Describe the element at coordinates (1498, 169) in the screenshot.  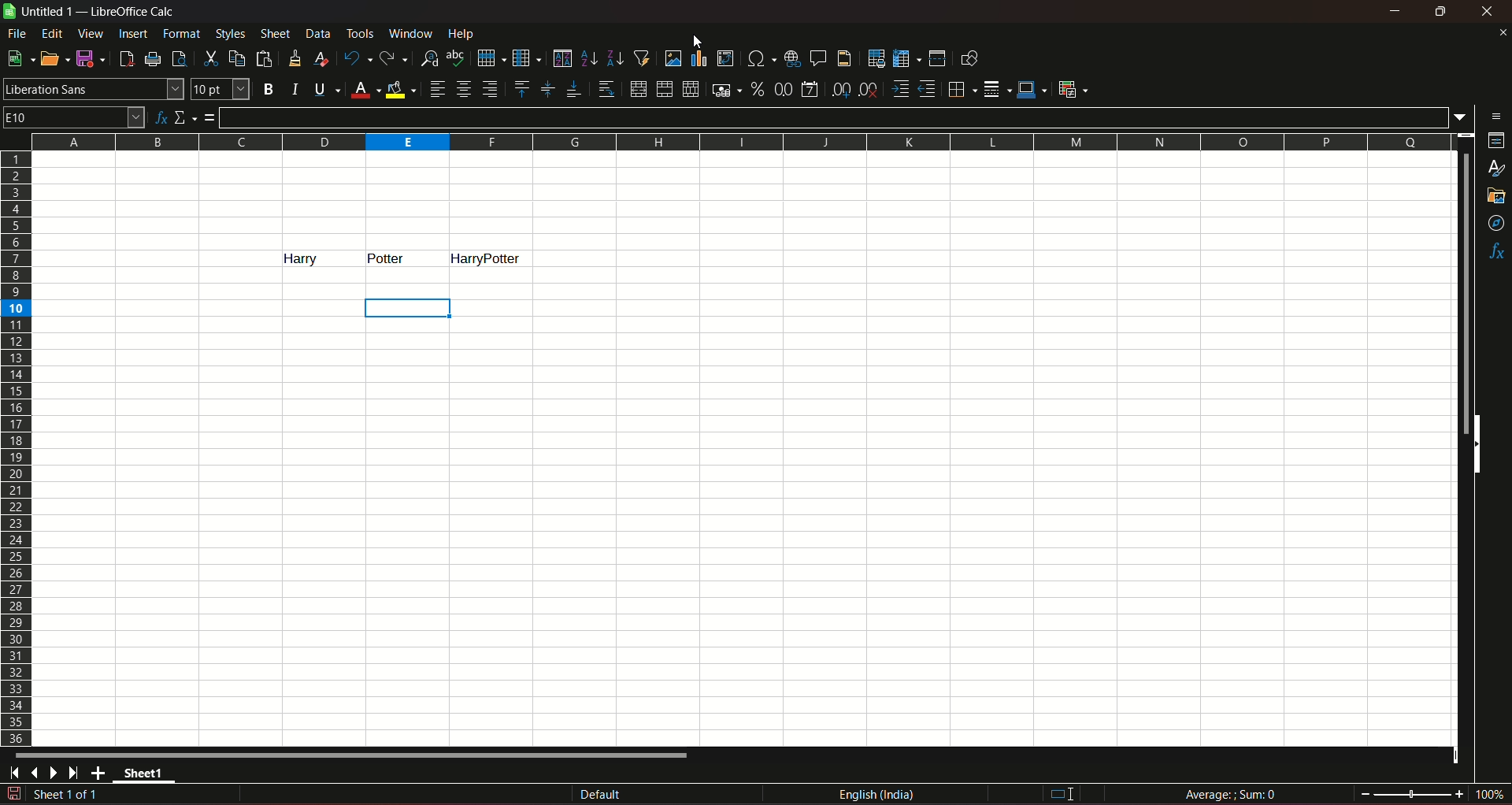
I see `styles` at that location.